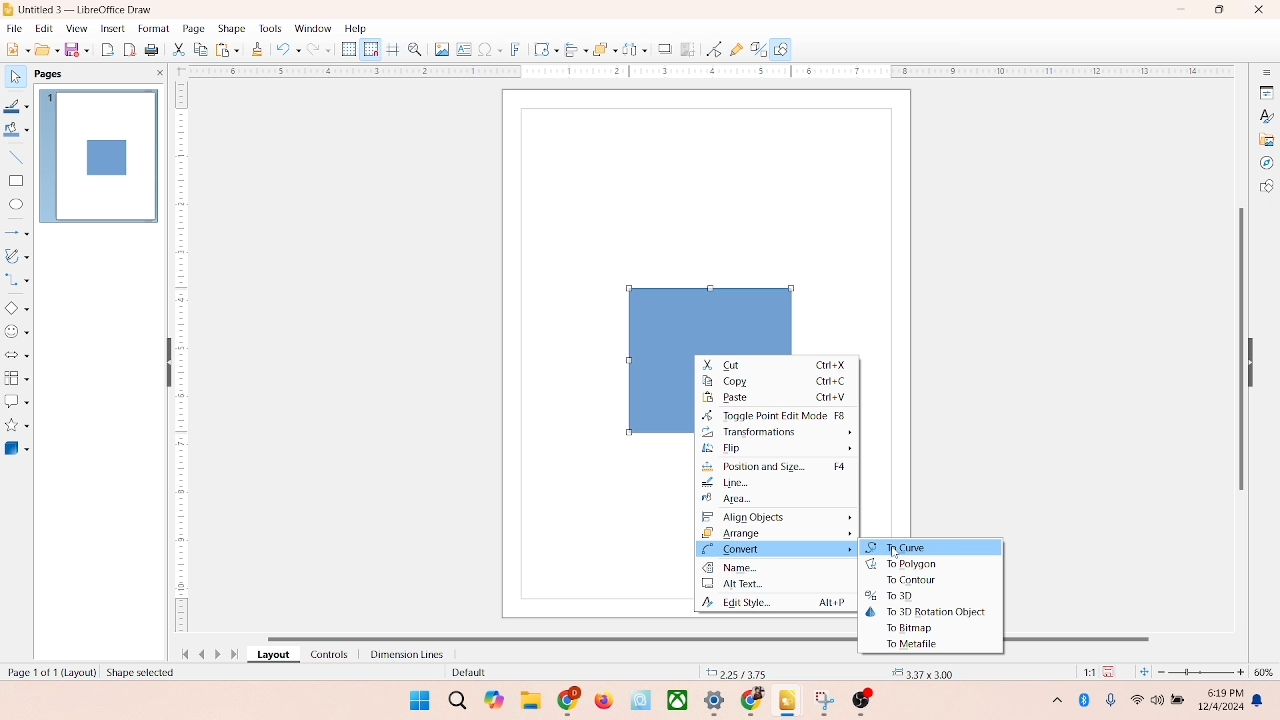 The width and height of the screenshot is (1280, 720). Describe the element at coordinates (1256, 359) in the screenshot. I see `hide` at that location.